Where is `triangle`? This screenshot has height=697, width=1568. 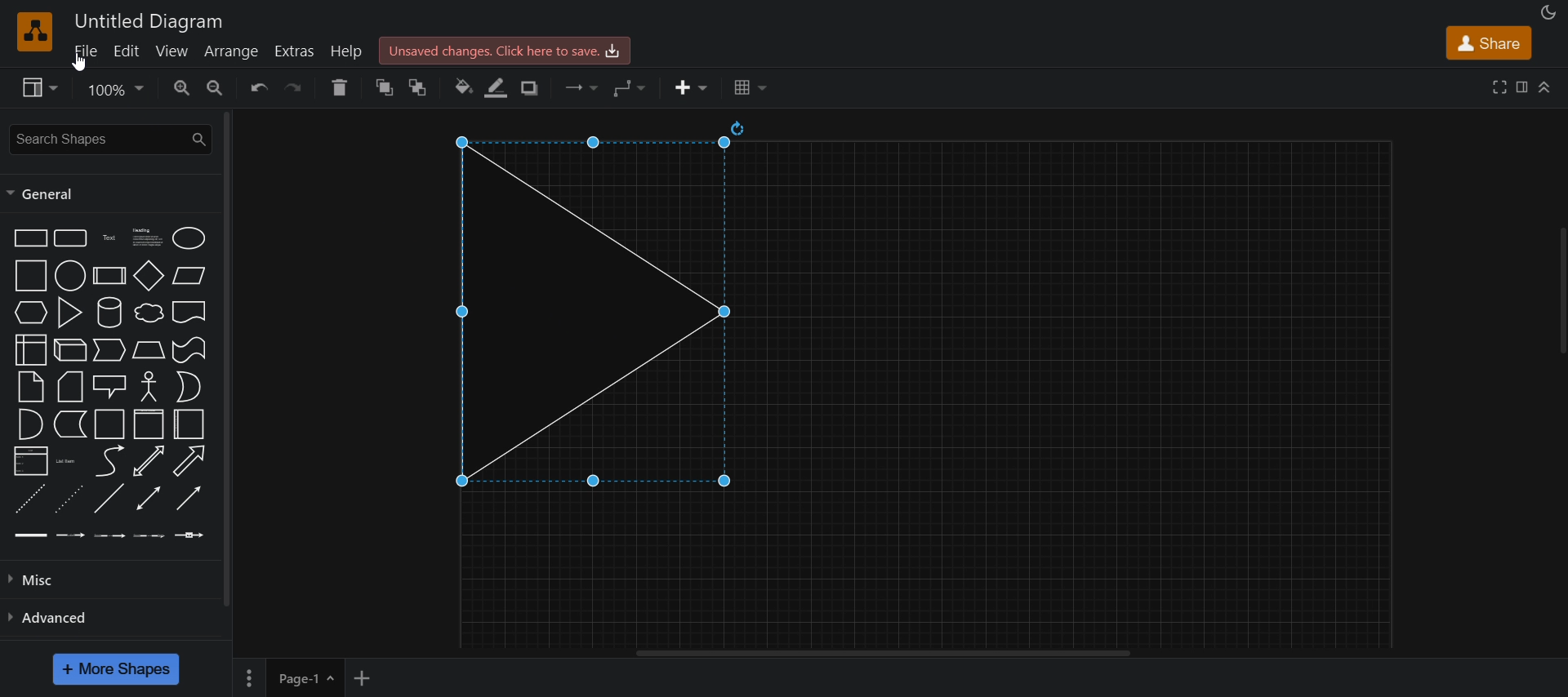
triangle is located at coordinates (638, 313).